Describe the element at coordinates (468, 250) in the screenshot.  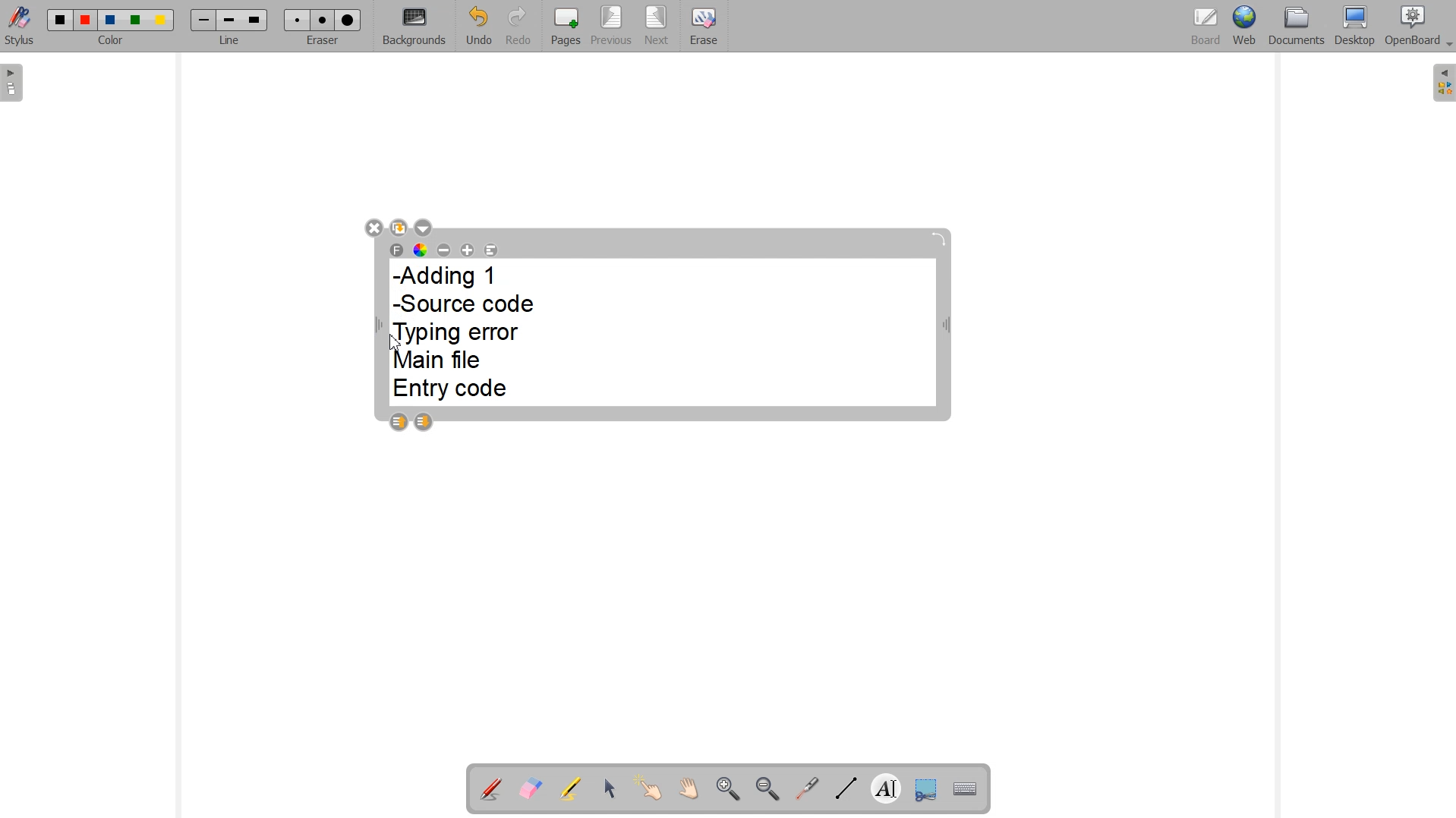
I see `Increase font size ` at that location.